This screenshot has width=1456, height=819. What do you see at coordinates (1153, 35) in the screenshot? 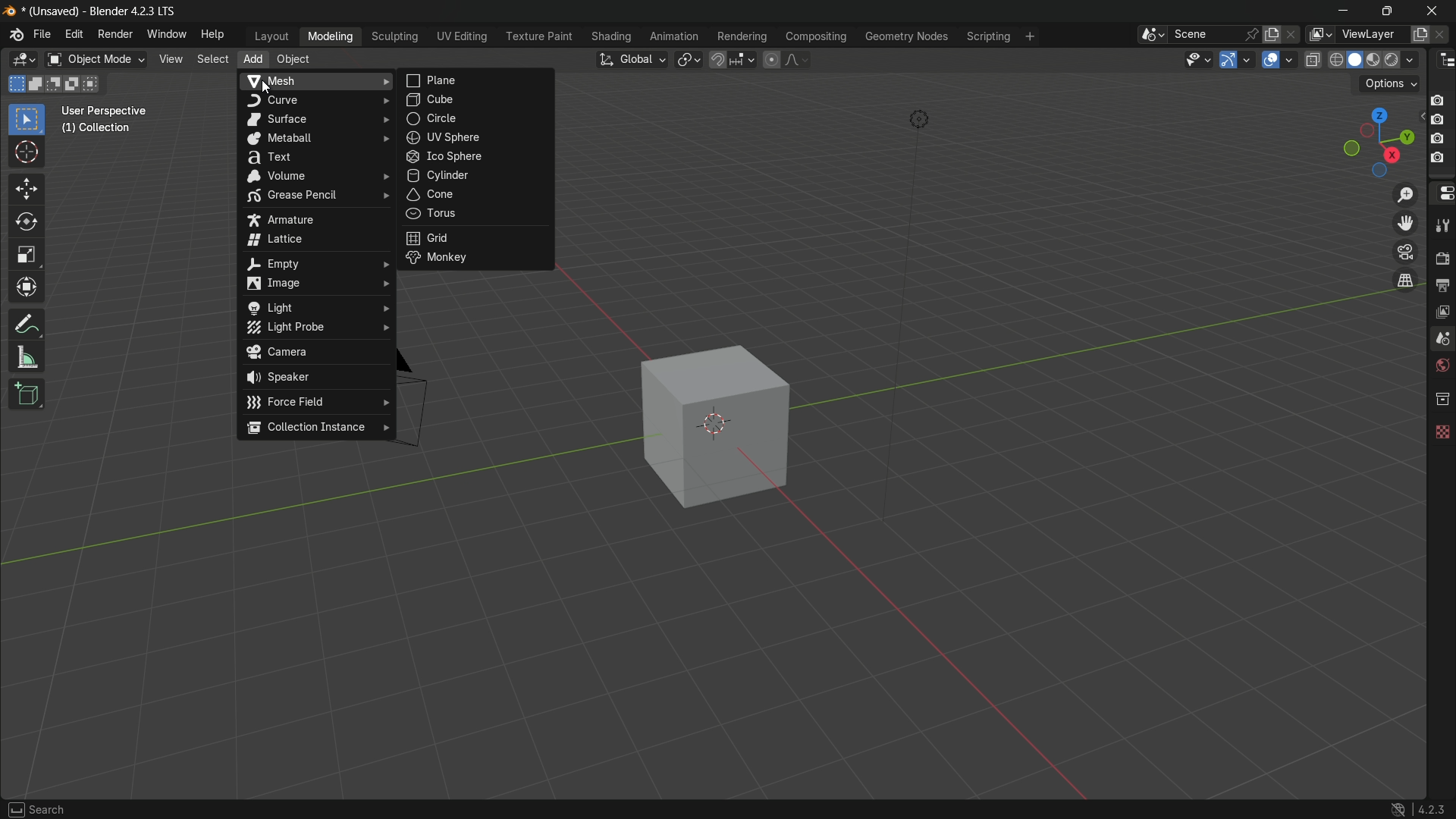
I see `browse scenes` at bounding box center [1153, 35].